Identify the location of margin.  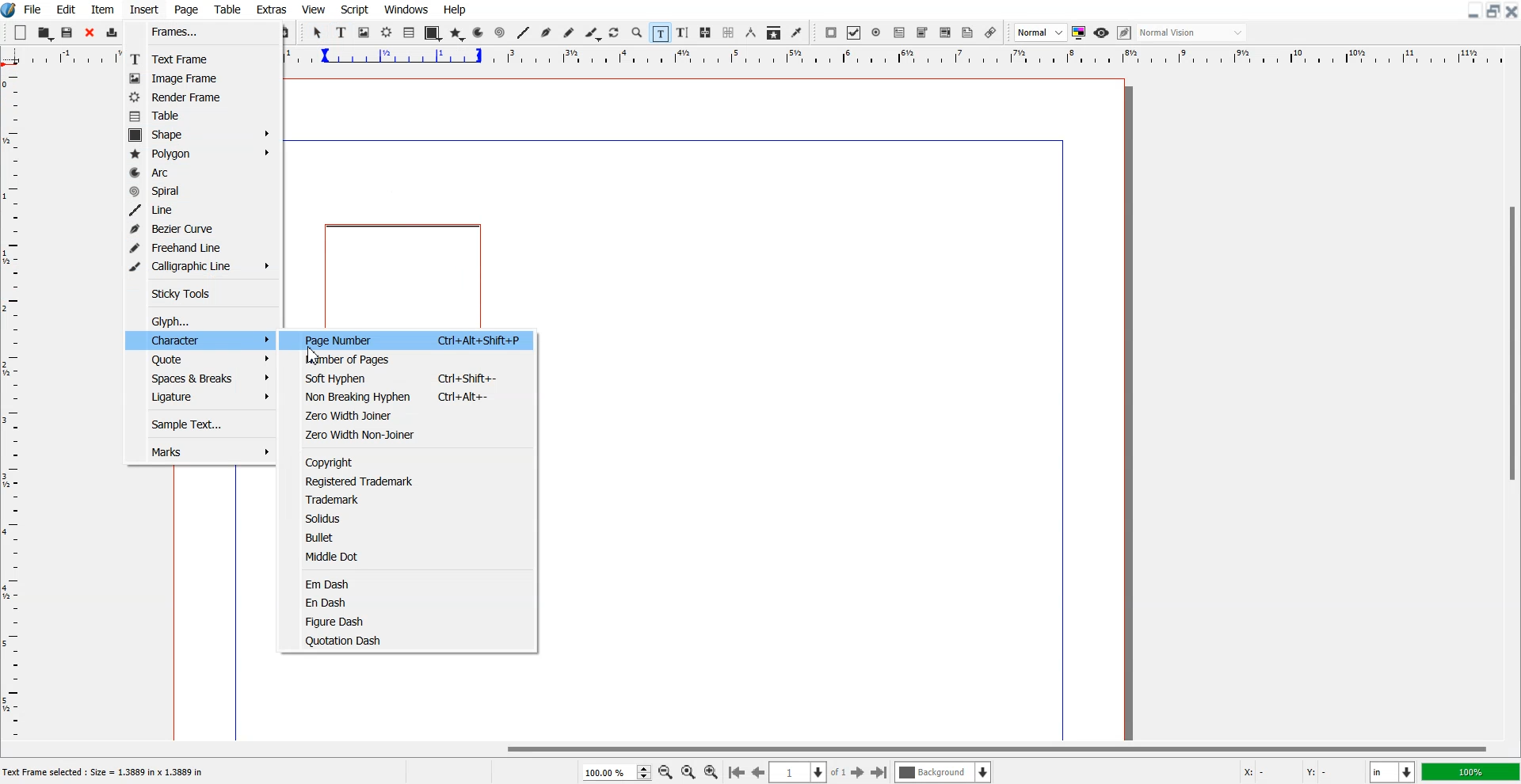
(1065, 437).